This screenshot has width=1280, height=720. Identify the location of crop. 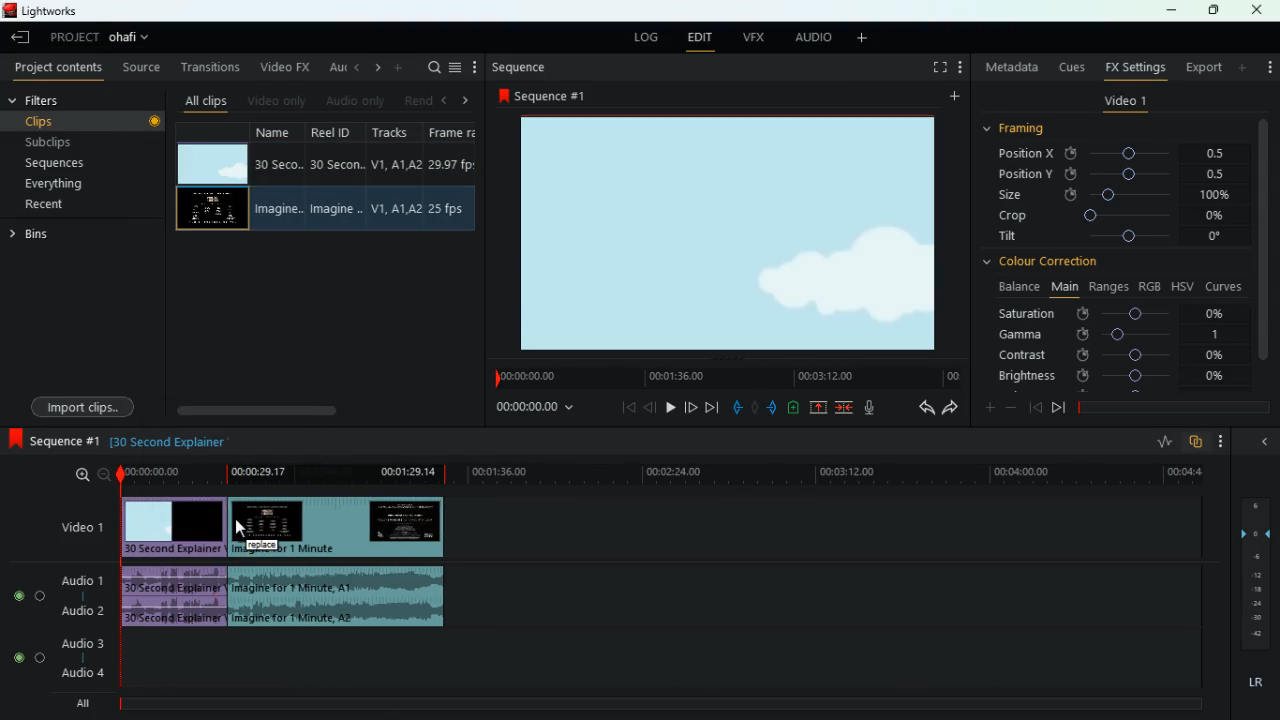
(1114, 217).